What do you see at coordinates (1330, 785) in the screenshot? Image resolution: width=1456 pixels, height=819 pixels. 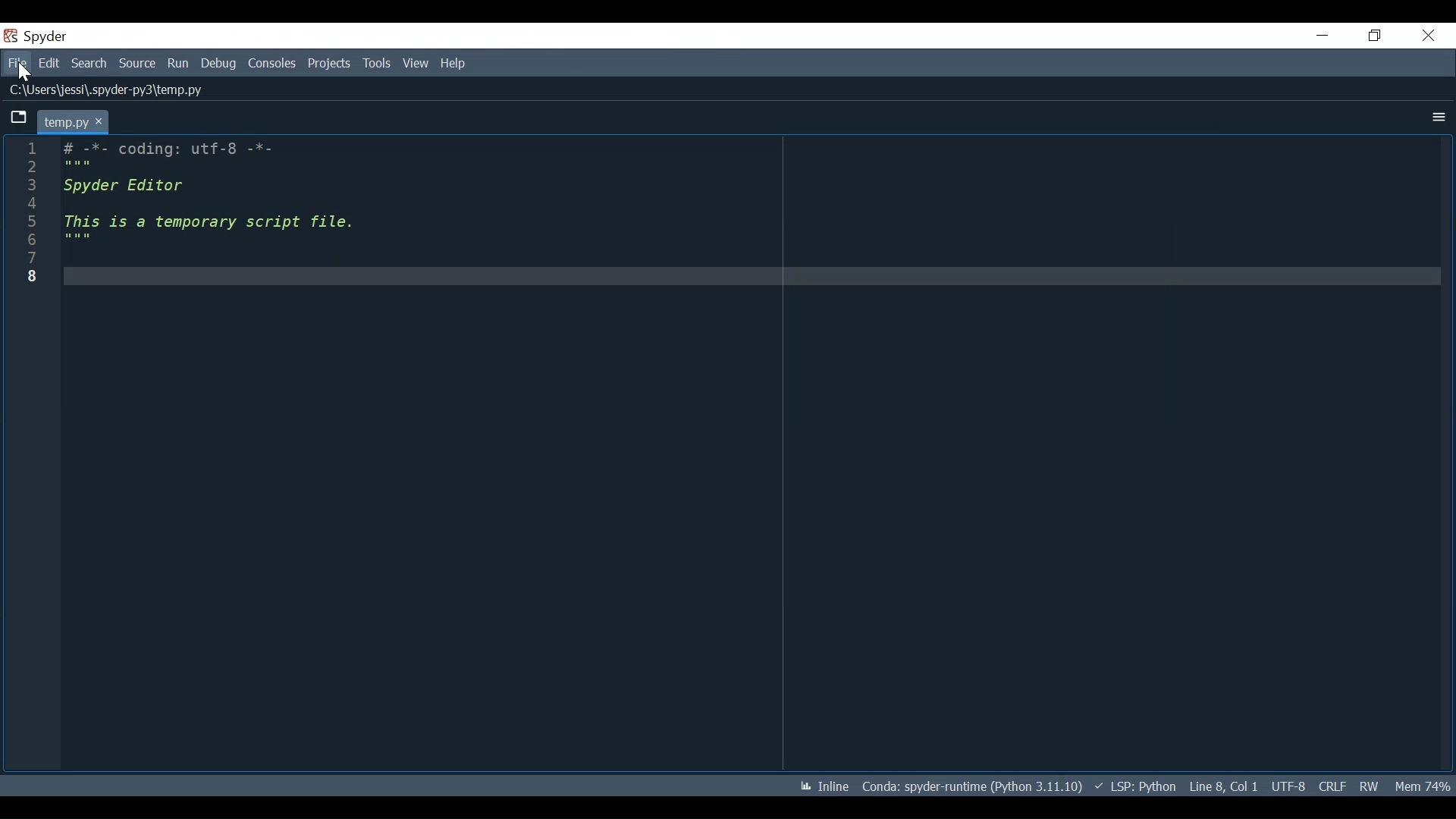 I see `File EQL Status` at bounding box center [1330, 785].